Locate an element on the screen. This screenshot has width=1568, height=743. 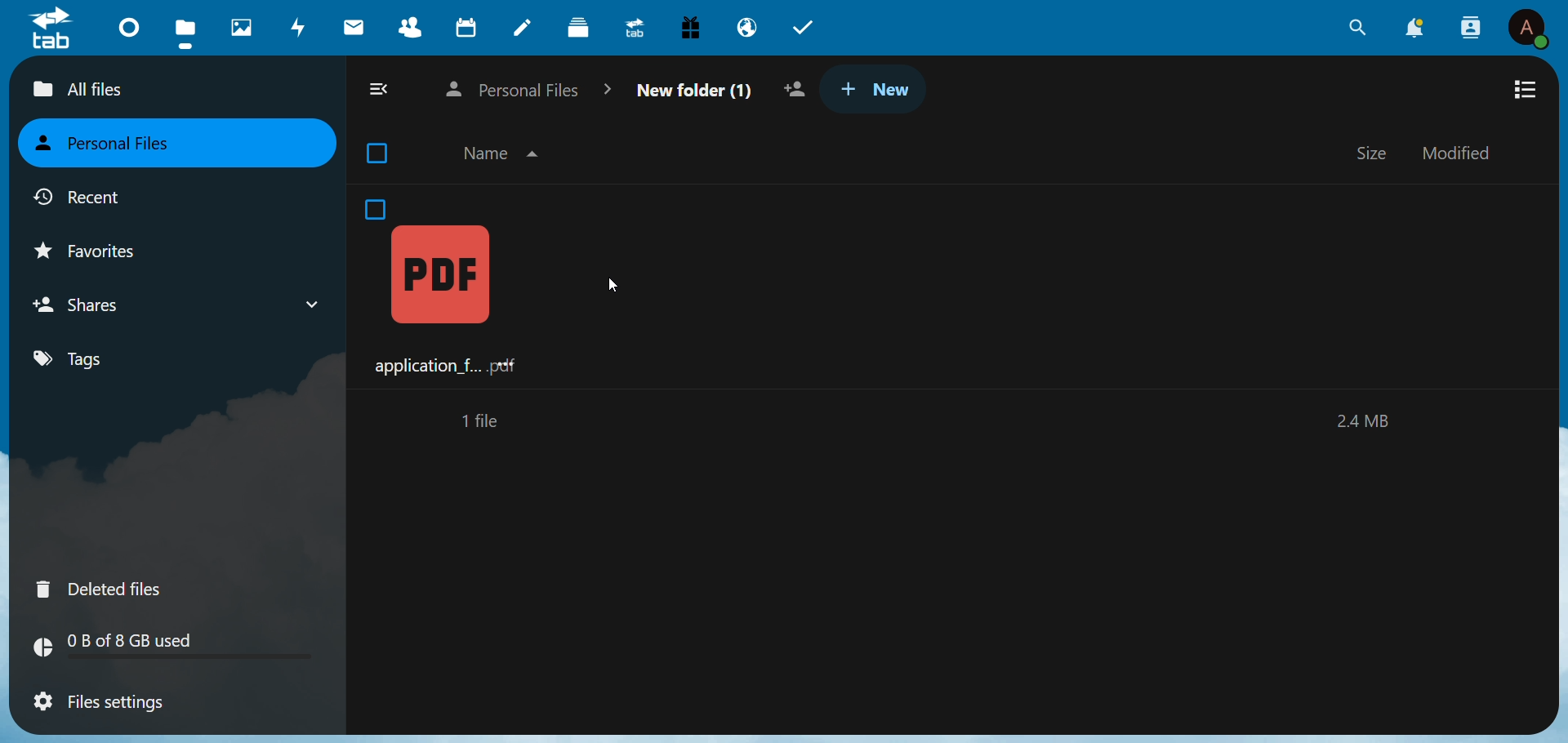
user is located at coordinates (1530, 28).